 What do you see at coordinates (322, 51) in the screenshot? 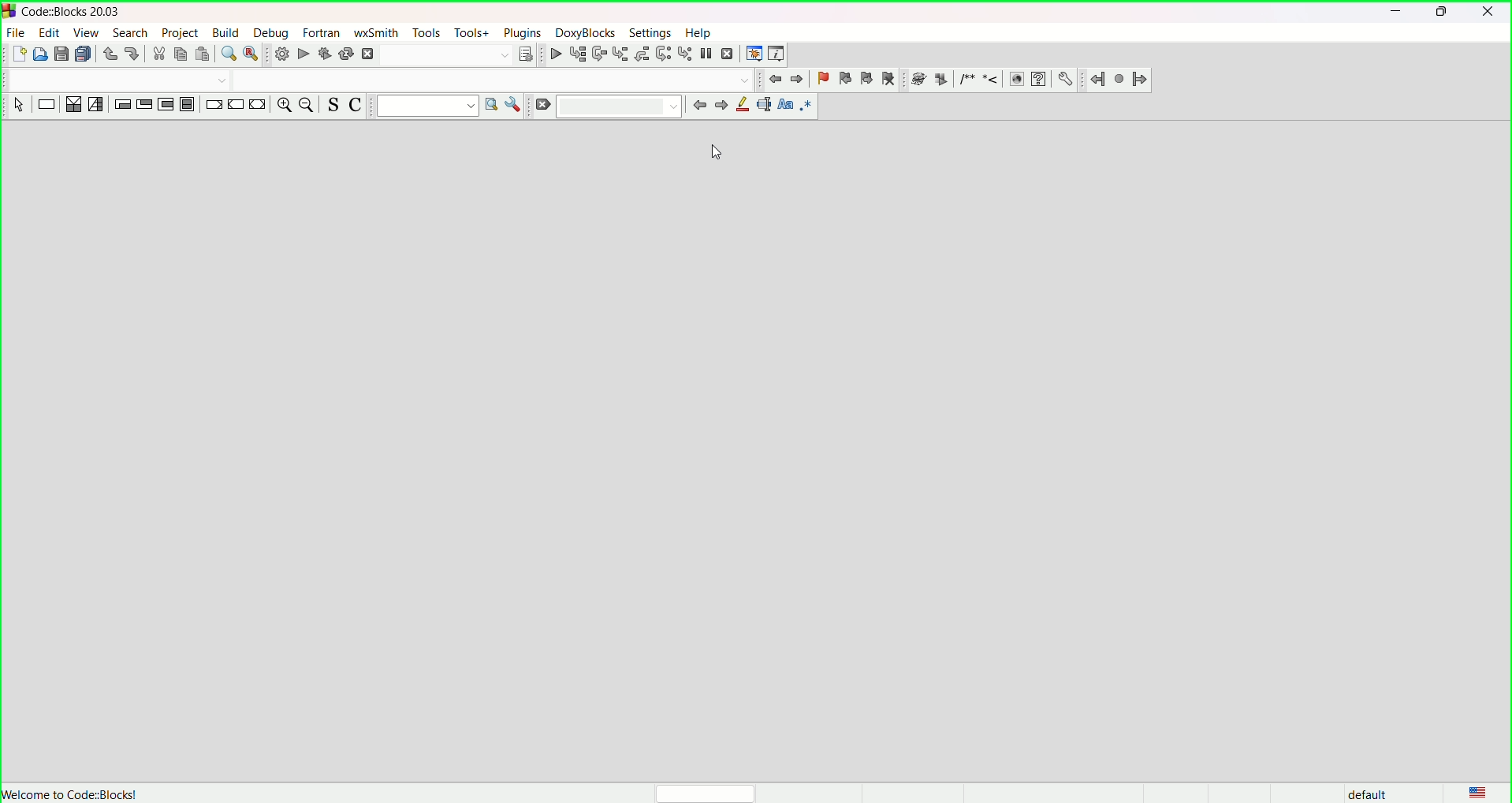
I see `build and run` at bounding box center [322, 51].